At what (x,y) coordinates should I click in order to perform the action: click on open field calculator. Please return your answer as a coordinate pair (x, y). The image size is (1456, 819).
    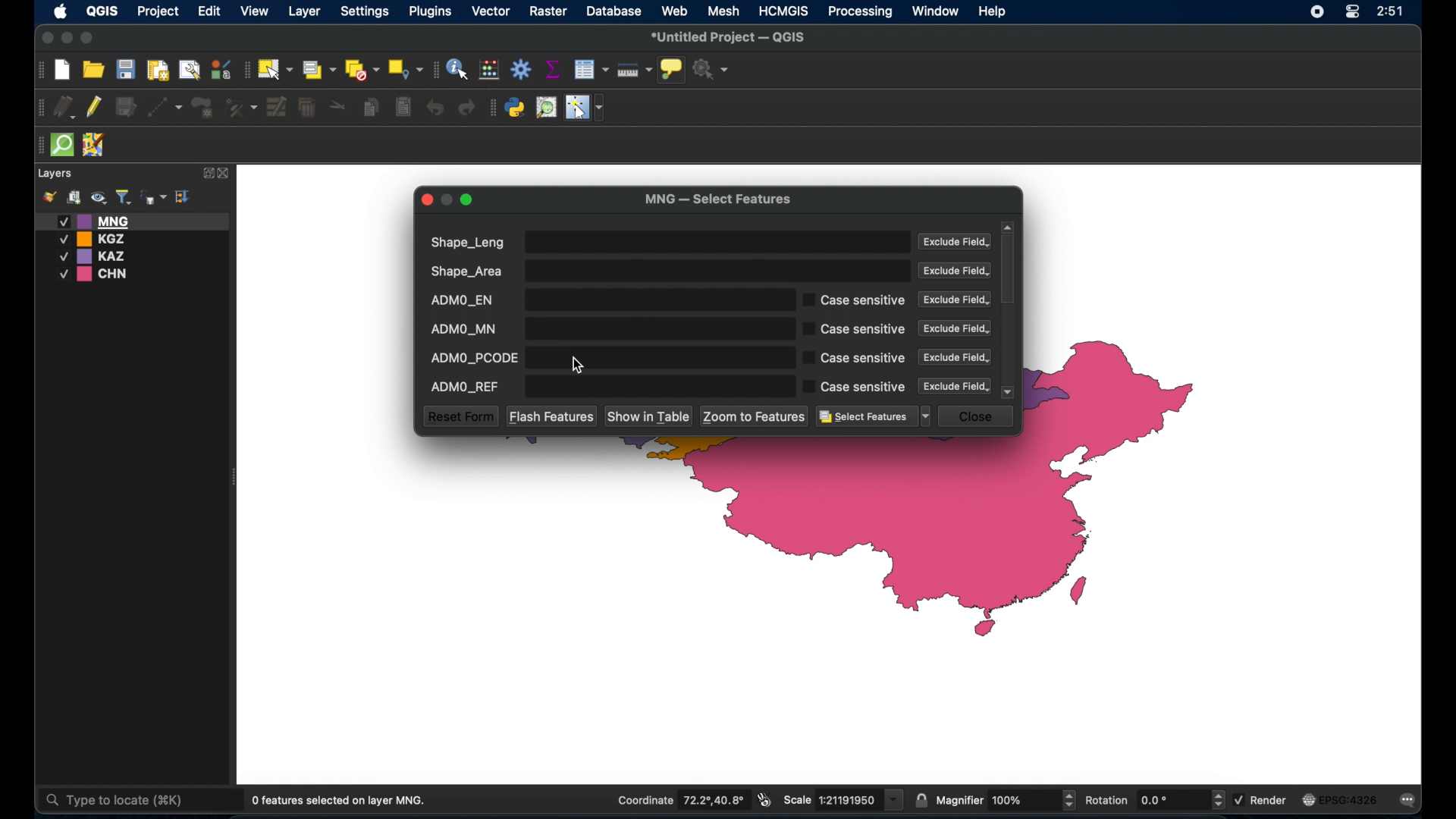
    Looking at the image, I should click on (491, 69).